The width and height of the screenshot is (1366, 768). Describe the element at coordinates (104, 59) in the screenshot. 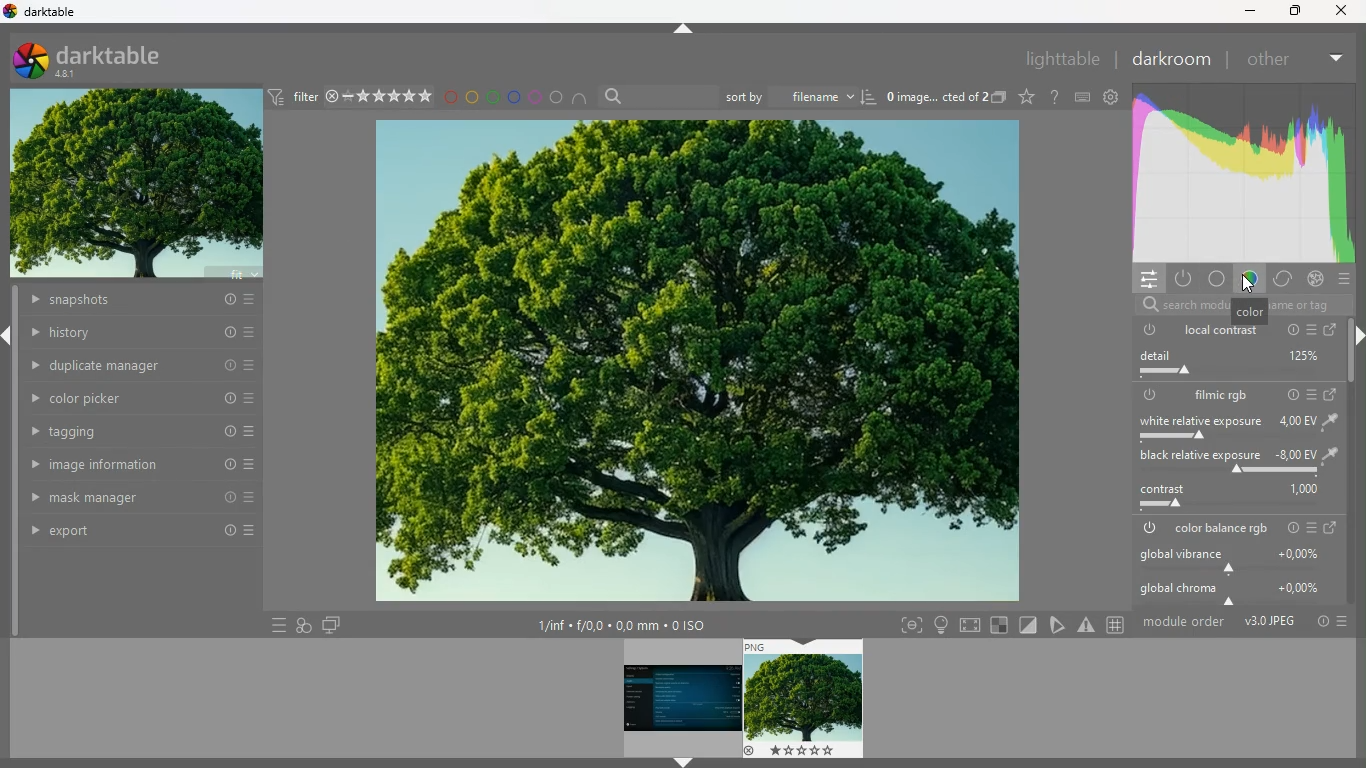

I see `darktable` at that location.